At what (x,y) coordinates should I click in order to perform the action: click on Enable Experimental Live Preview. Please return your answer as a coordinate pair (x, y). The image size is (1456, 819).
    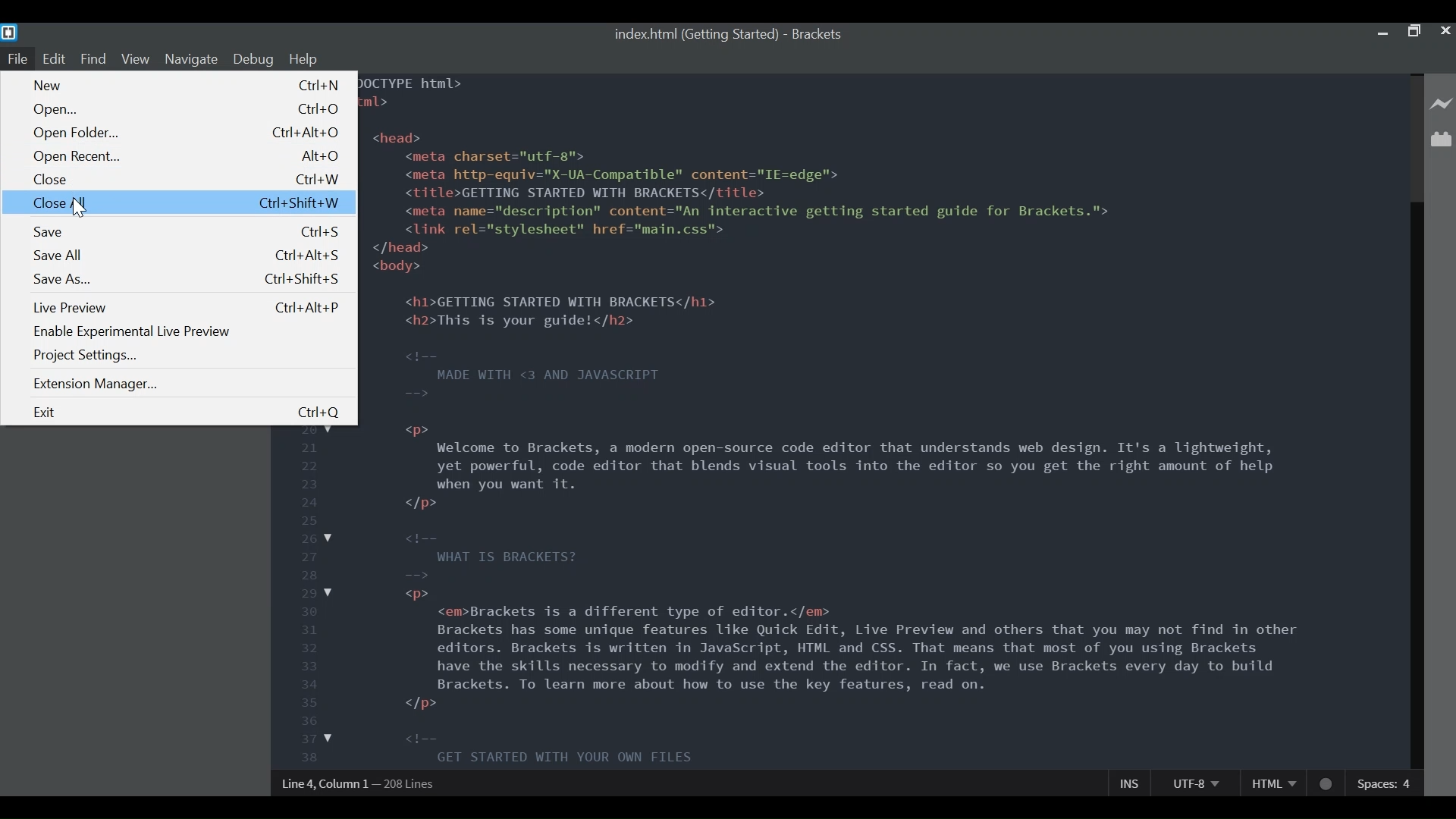
    Looking at the image, I should click on (131, 331).